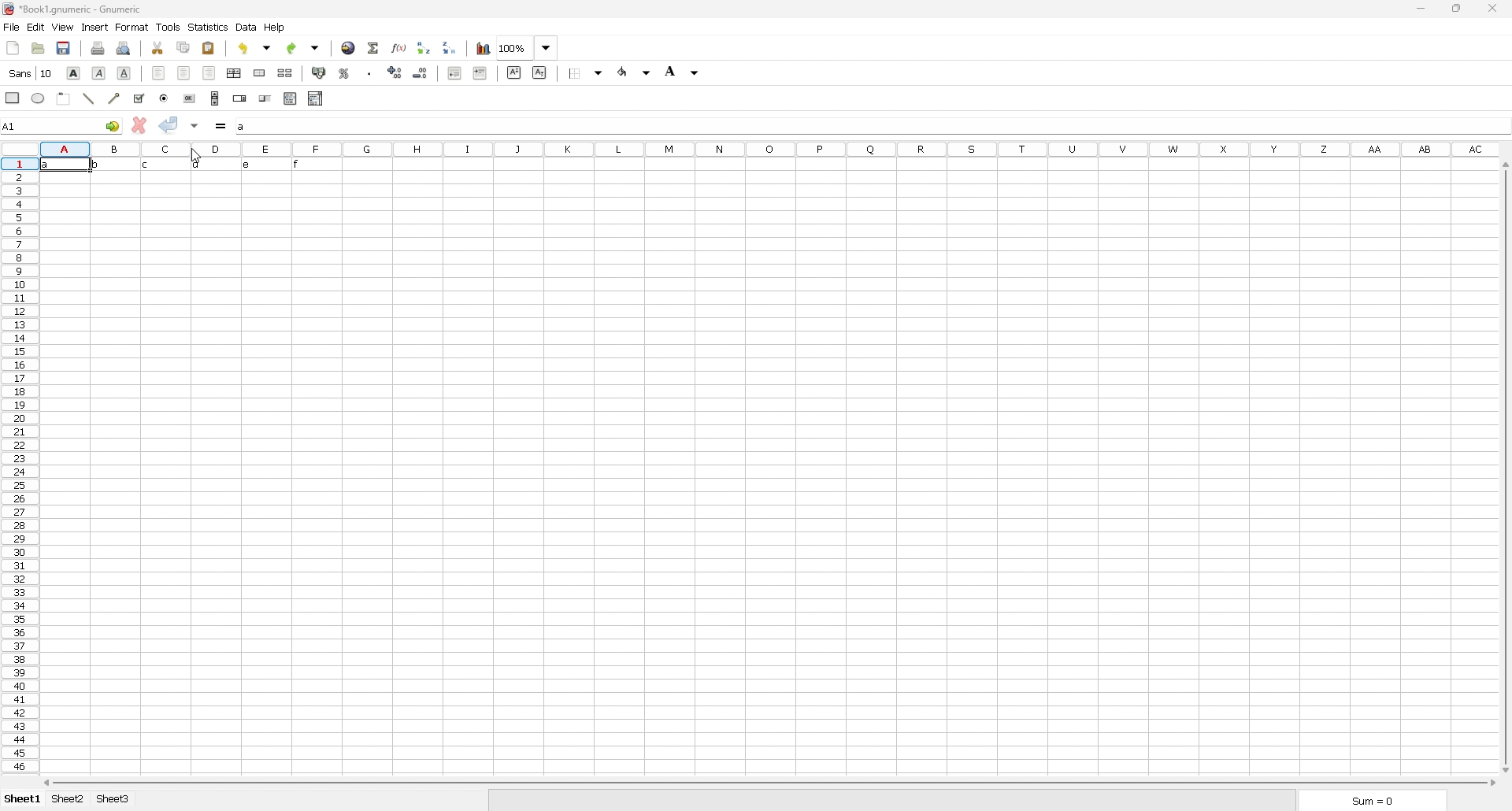  Describe the element at coordinates (98, 47) in the screenshot. I see `print` at that location.